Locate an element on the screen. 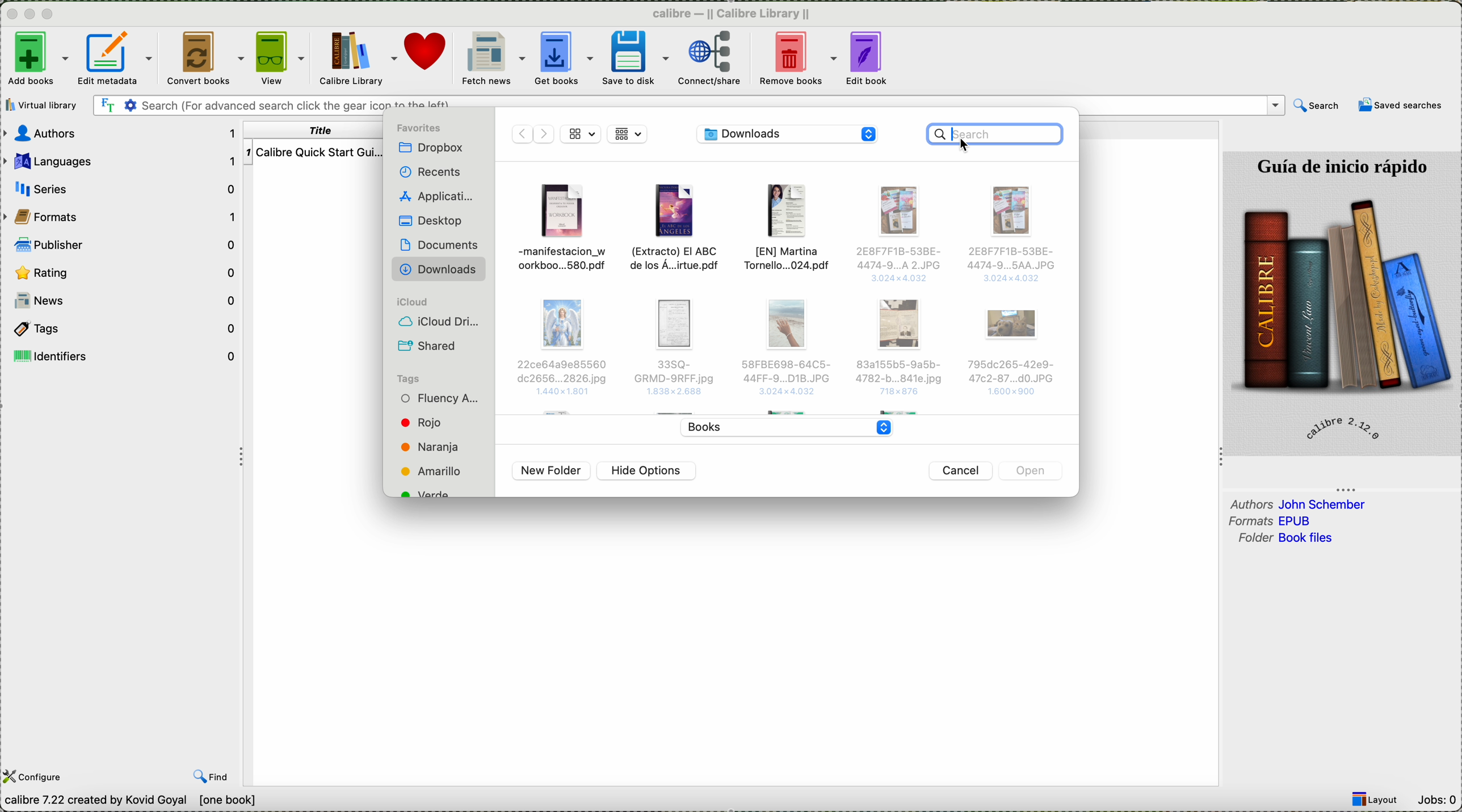  disable open button is located at coordinates (1030, 472).